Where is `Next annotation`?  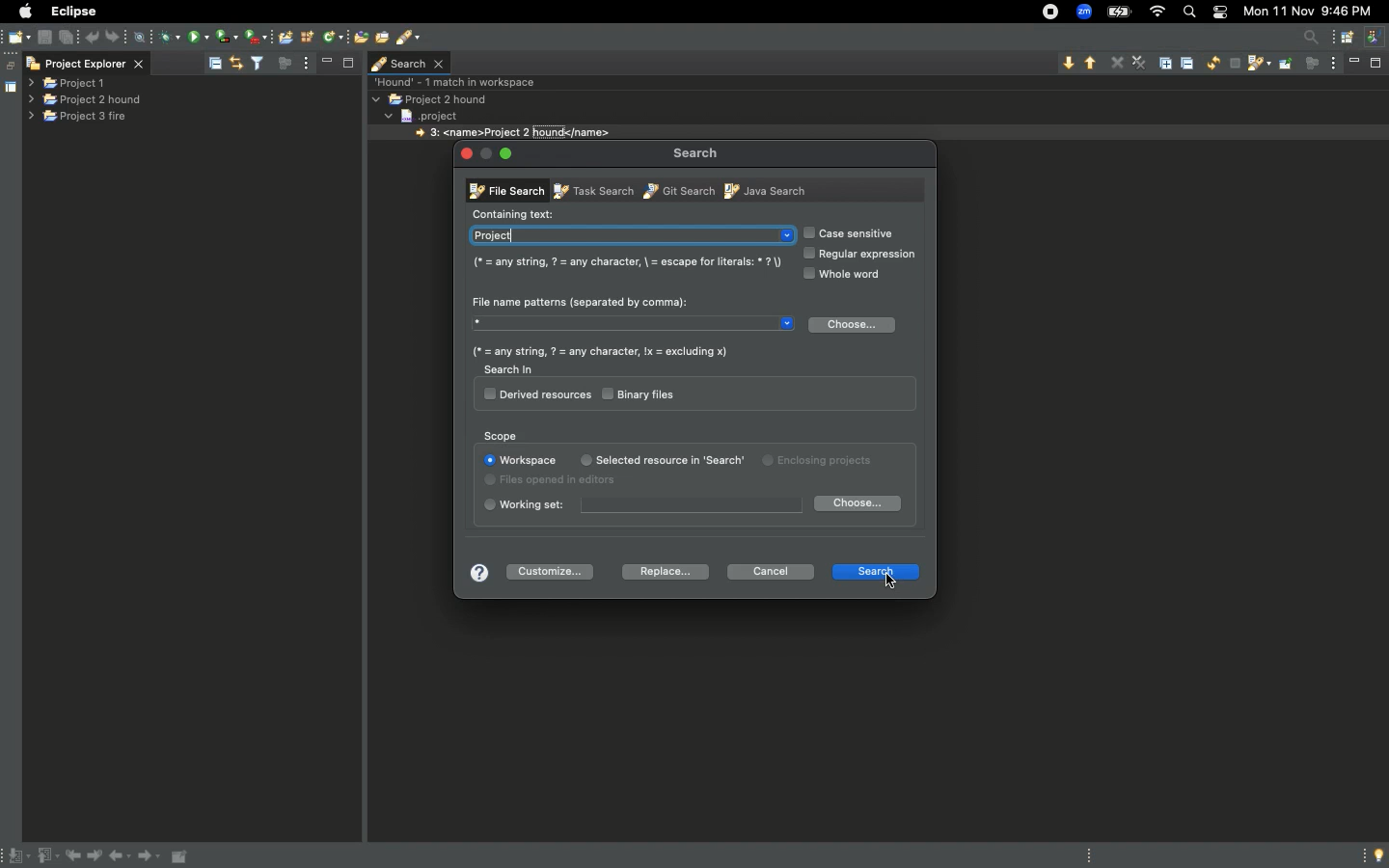 Next annotation is located at coordinates (16, 856).